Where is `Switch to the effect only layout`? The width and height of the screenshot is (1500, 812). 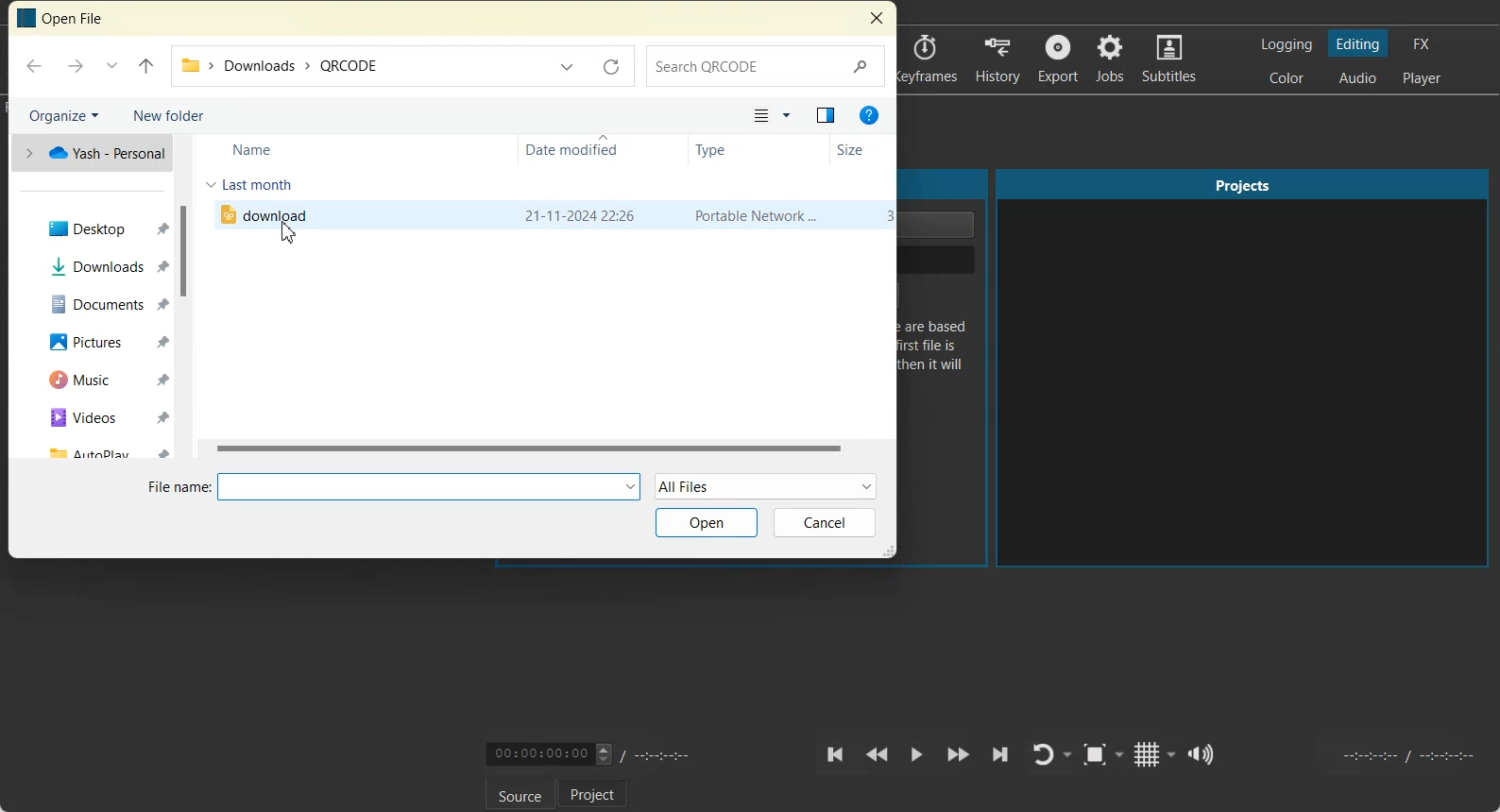 Switch to the effect only layout is located at coordinates (1424, 43).